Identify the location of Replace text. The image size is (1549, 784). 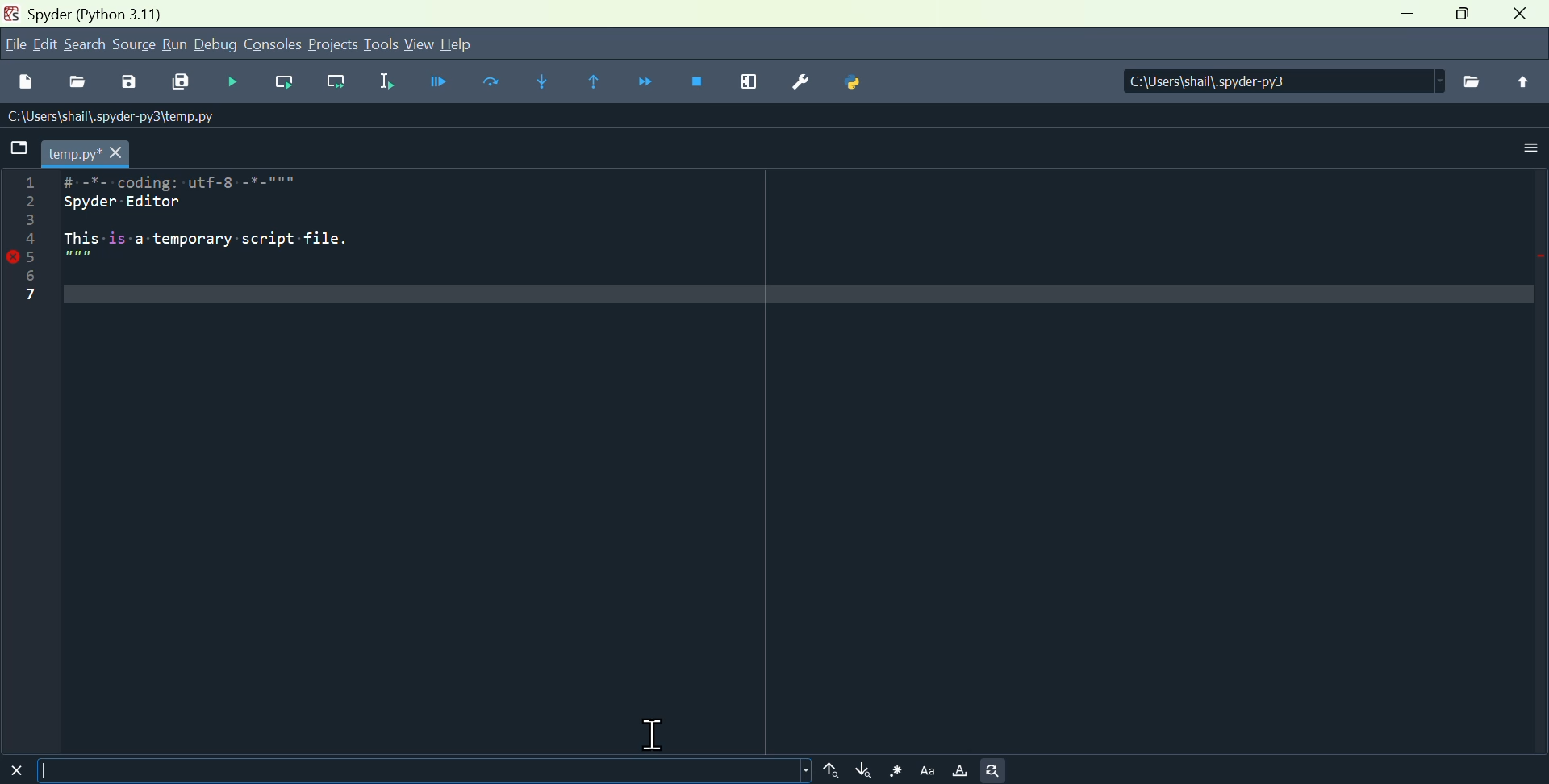
(995, 771).